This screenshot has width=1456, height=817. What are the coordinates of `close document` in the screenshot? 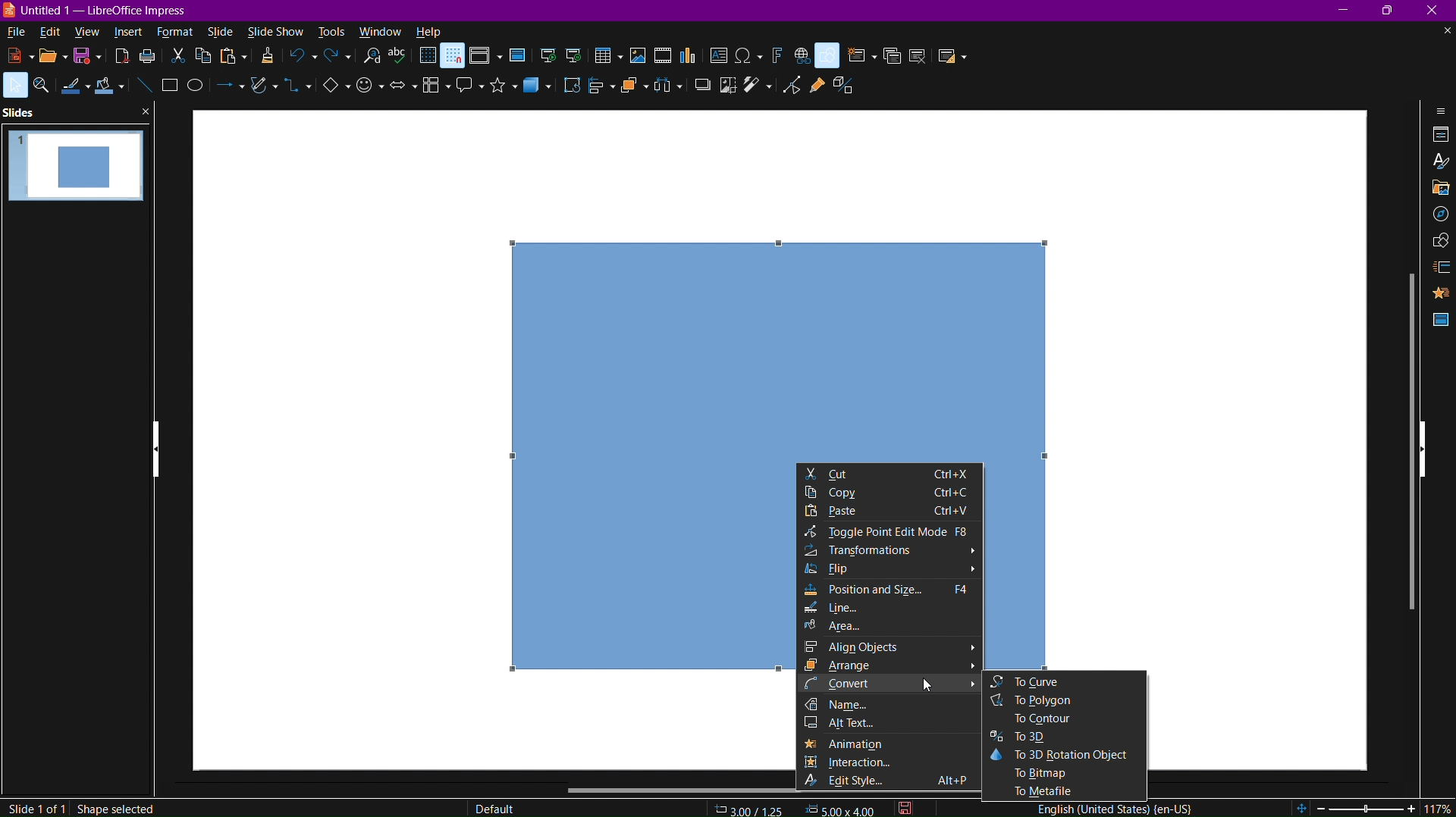 It's located at (1446, 32).